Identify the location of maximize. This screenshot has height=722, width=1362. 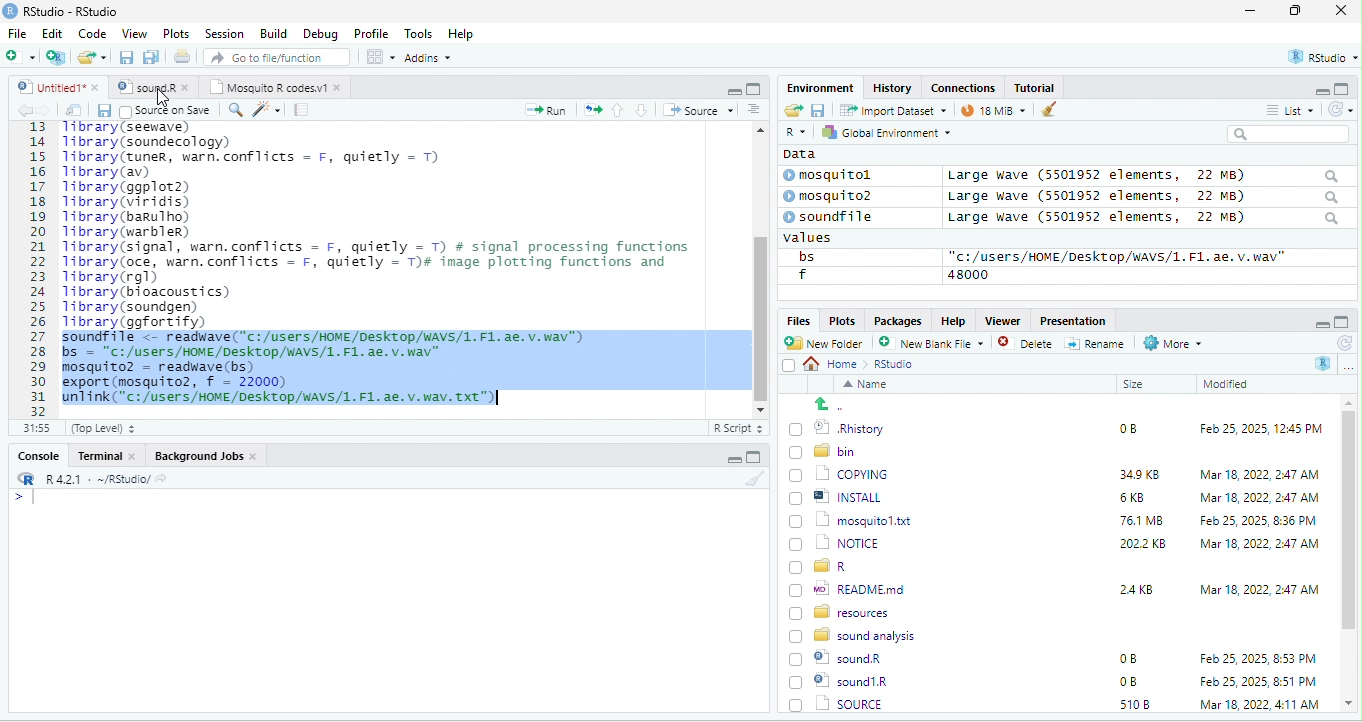
(753, 88).